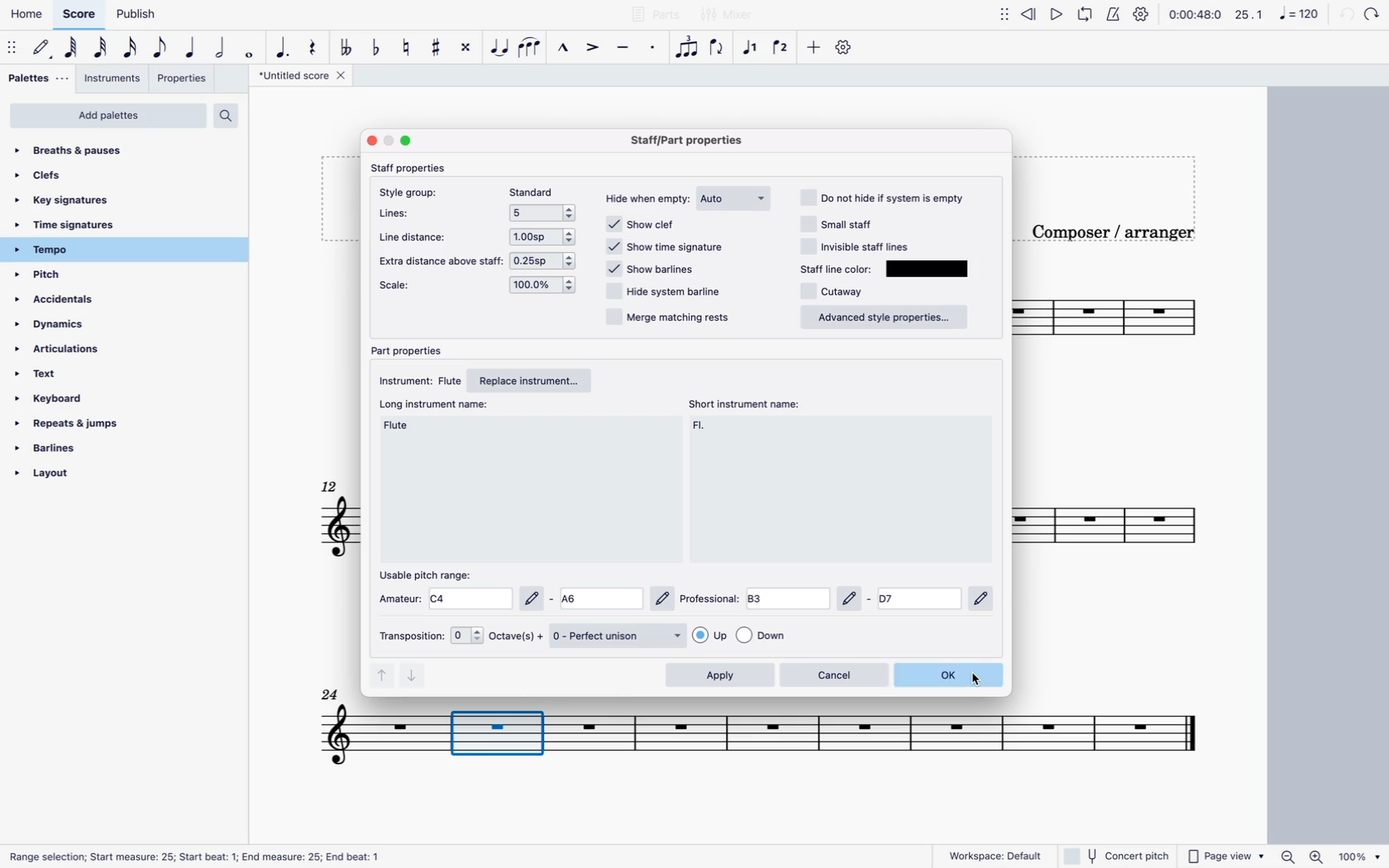 Image resolution: width=1389 pixels, height=868 pixels. I want to click on more, so click(815, 48).